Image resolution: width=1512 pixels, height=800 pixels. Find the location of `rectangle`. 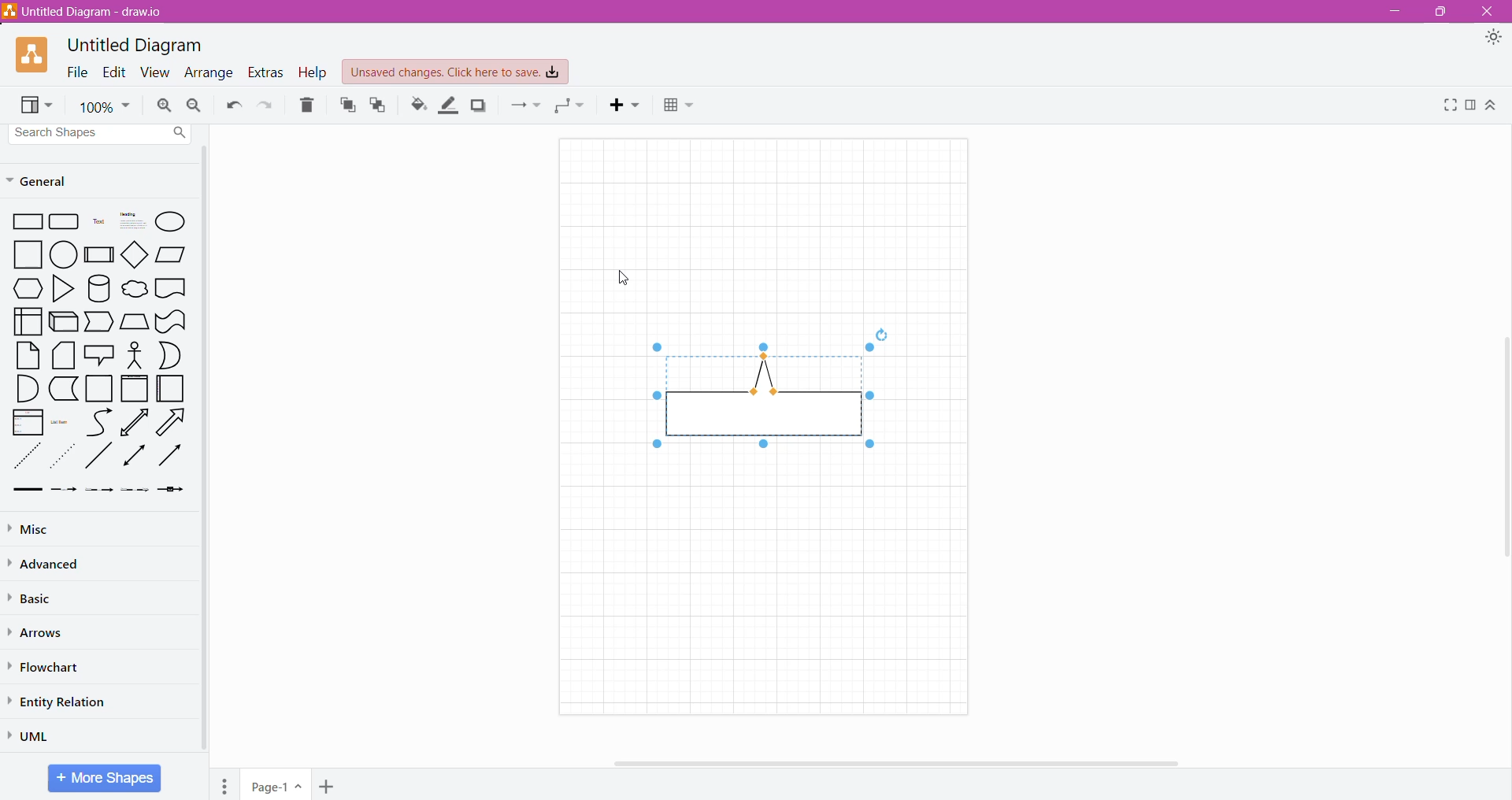

rectangle is located at coordinates (24, 223).